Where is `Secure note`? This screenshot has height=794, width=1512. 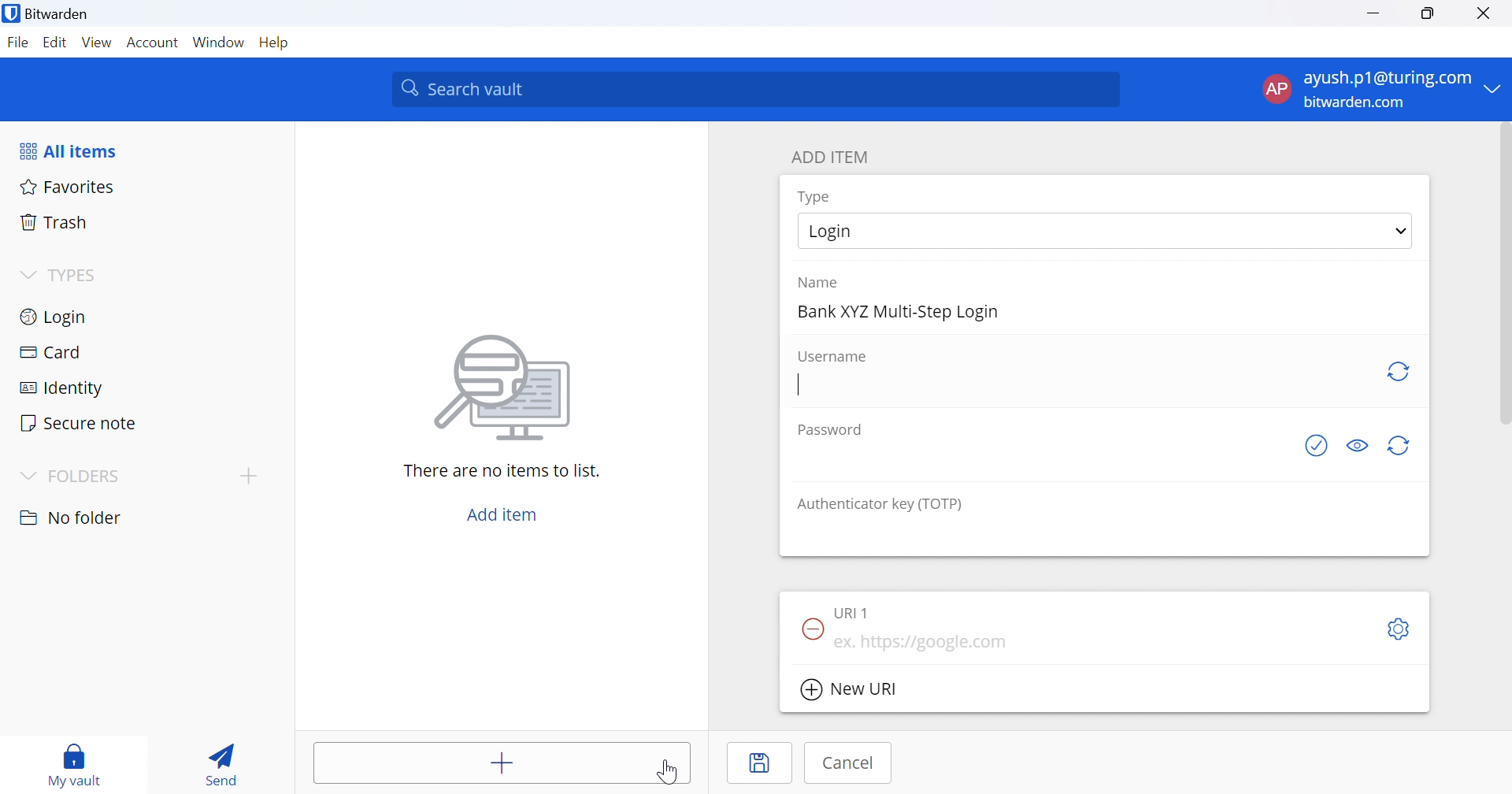
Secure note is located at coordinates (81, 425).